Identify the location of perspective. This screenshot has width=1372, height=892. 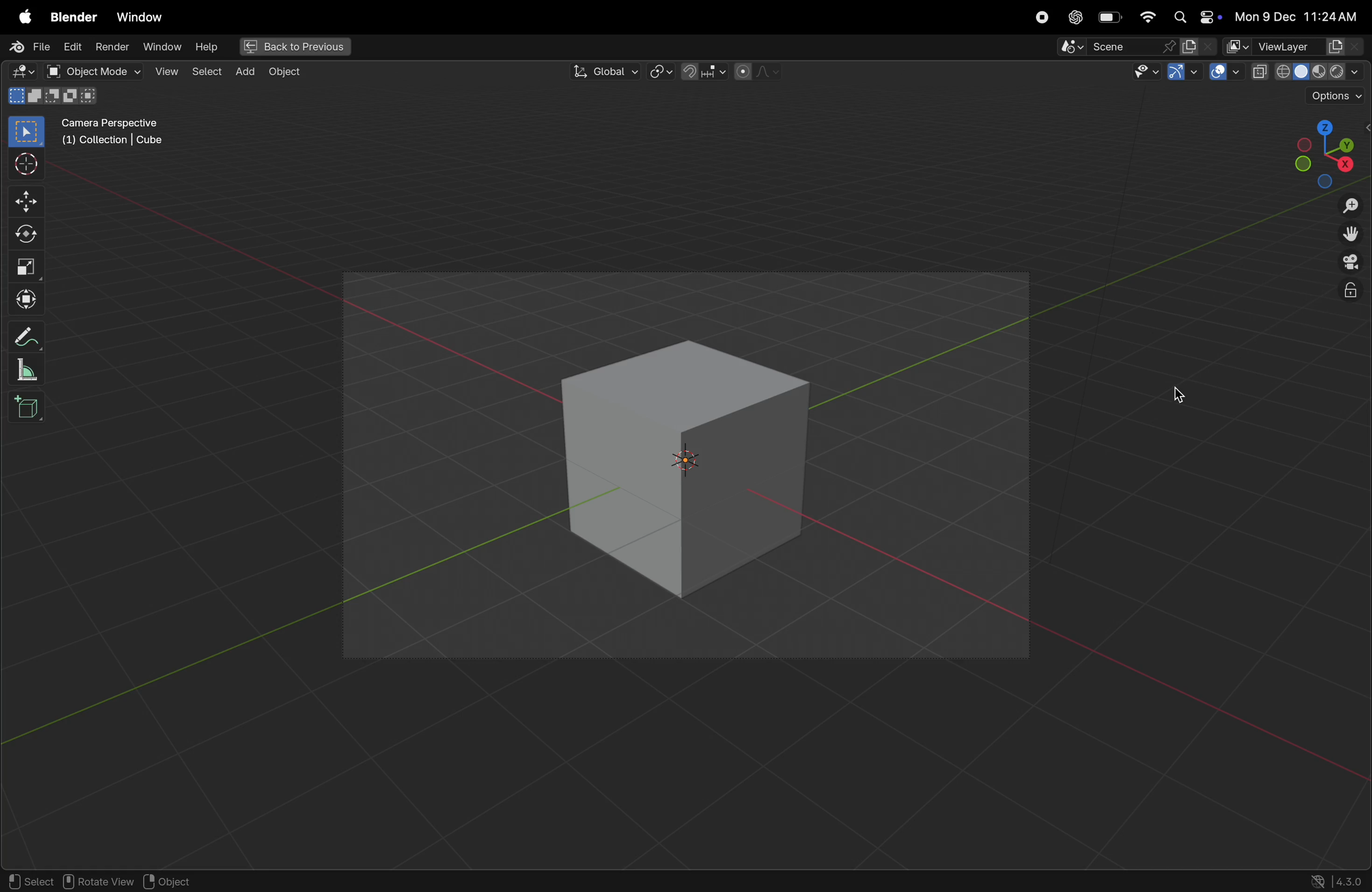
(1351, 264).